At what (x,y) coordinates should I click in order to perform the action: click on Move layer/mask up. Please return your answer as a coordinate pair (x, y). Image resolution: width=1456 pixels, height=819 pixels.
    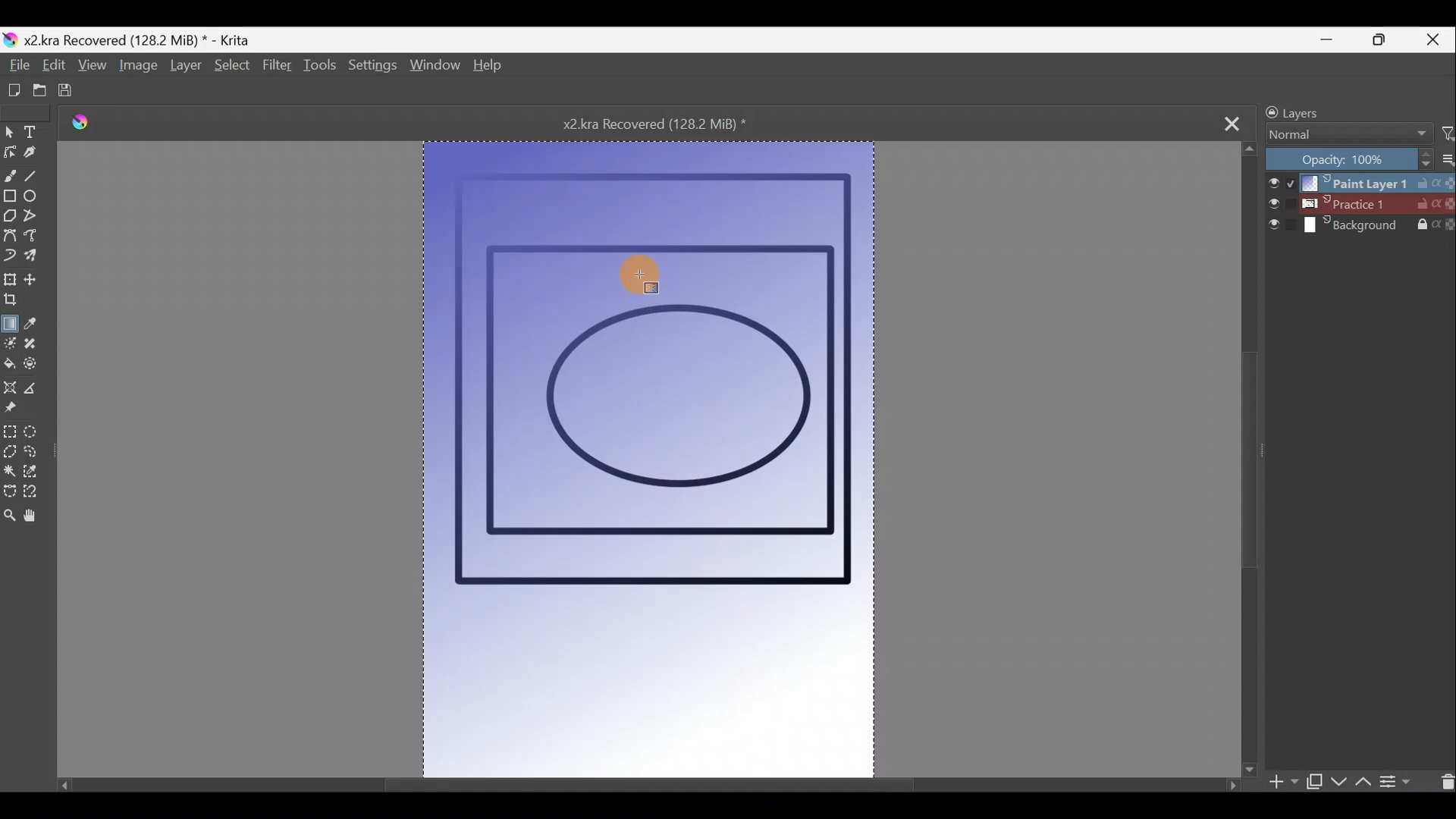
    Looking at the image, I should click on (1361, 782).